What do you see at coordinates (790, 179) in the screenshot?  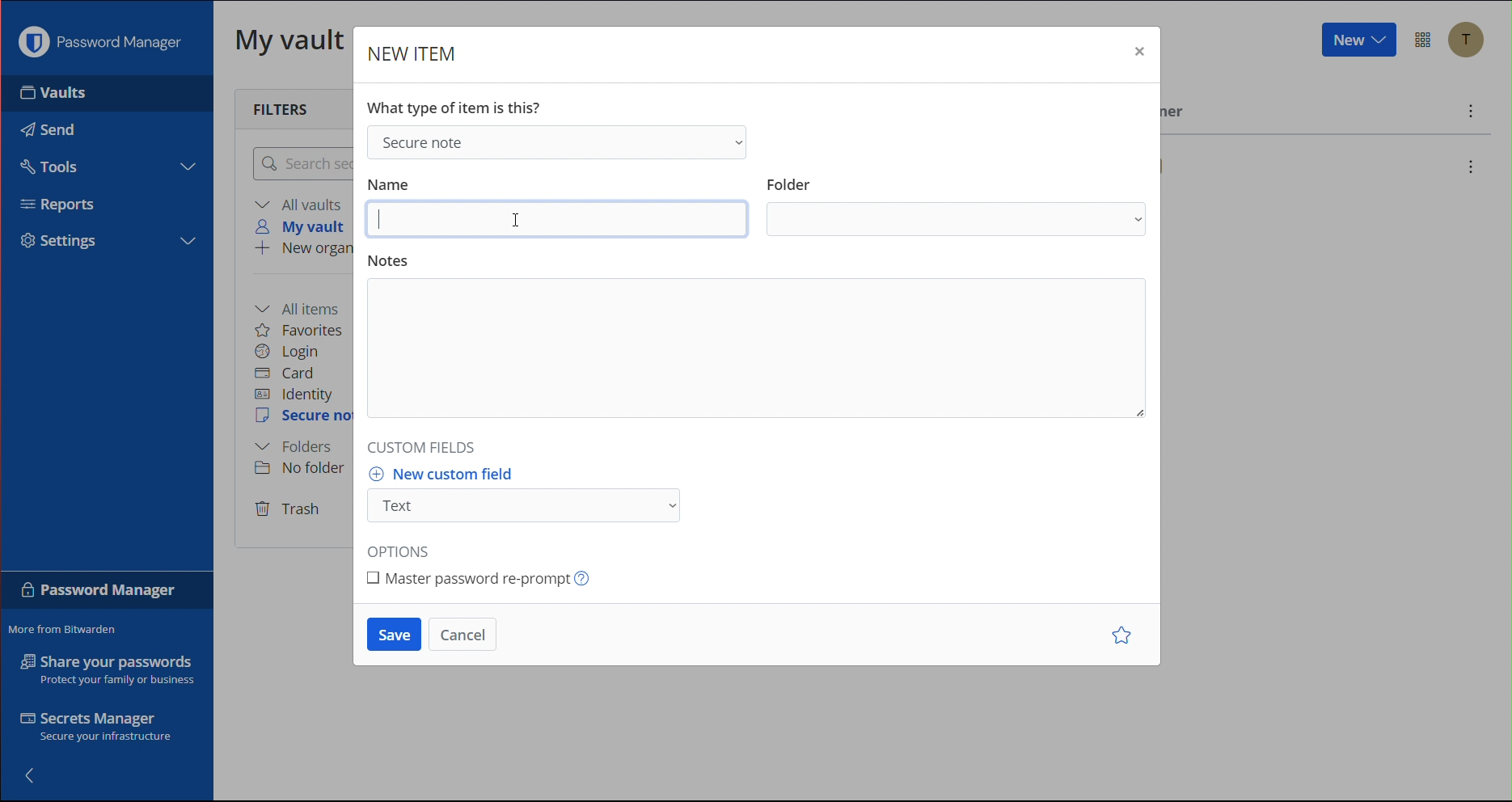 I see `Folder` at bounding box center [790, 179].